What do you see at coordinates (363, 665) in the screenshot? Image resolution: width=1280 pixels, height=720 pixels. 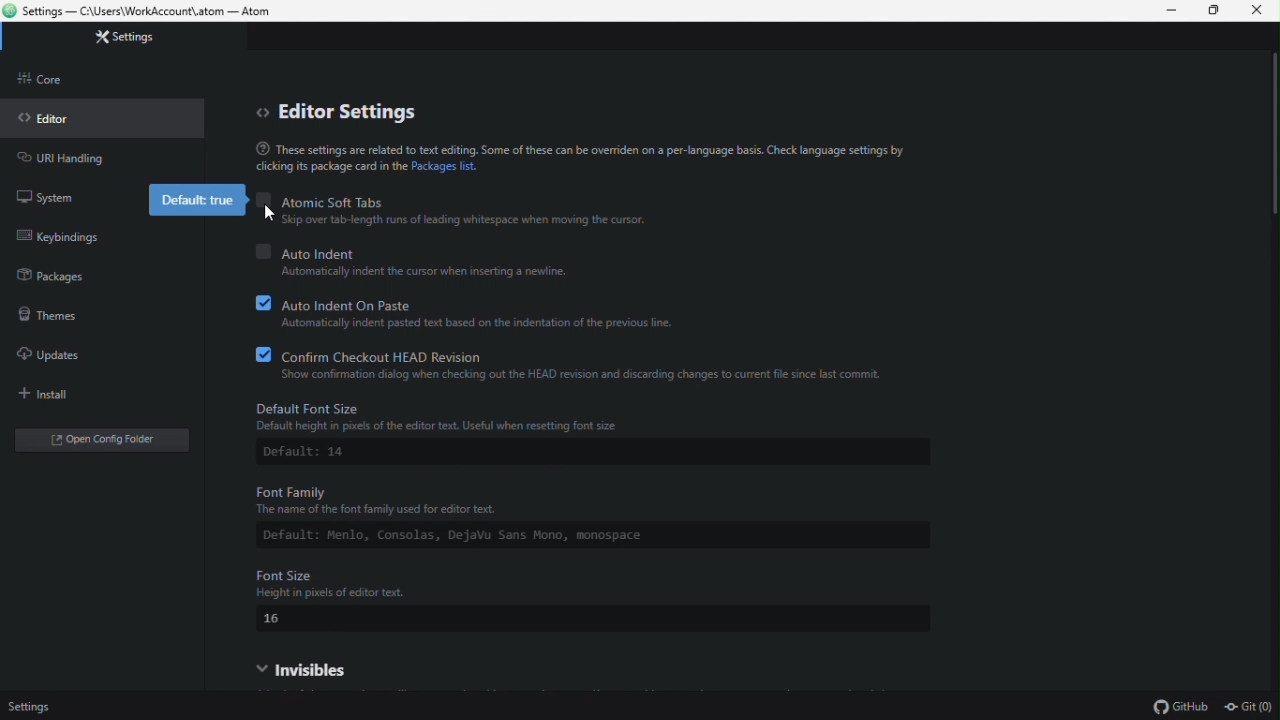 I see `Invisible` at bounding box center [363, 665].